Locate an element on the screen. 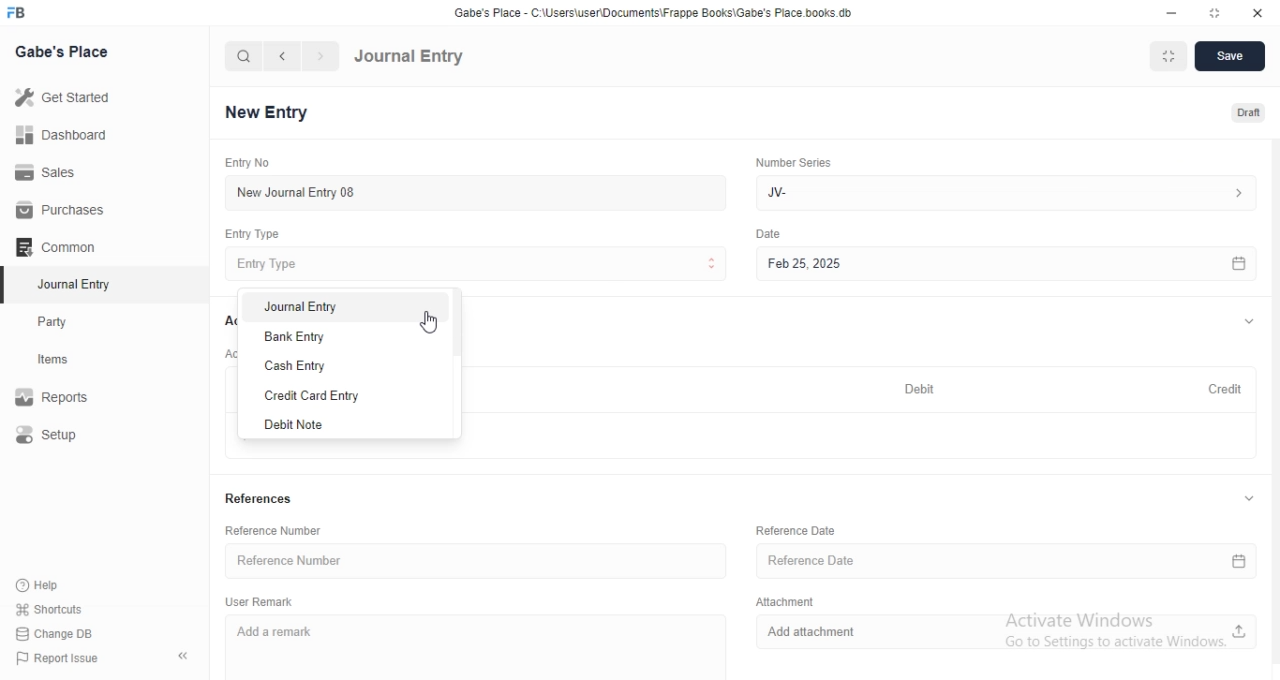 The height and width of the screenshot is (680, 1280). Get Started is located at coordinates (68, 101).